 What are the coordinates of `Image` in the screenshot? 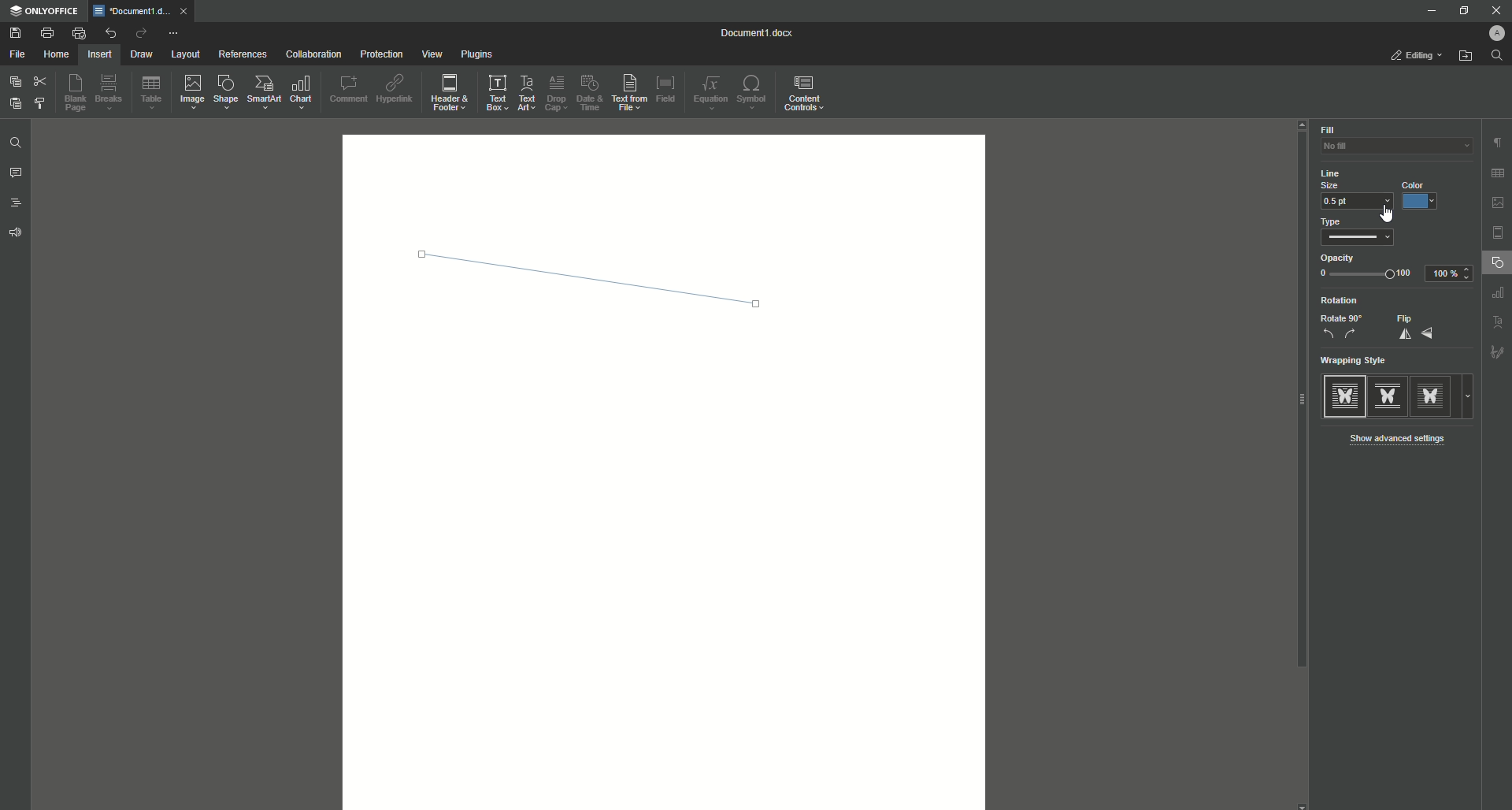 It's located at (194, 94).